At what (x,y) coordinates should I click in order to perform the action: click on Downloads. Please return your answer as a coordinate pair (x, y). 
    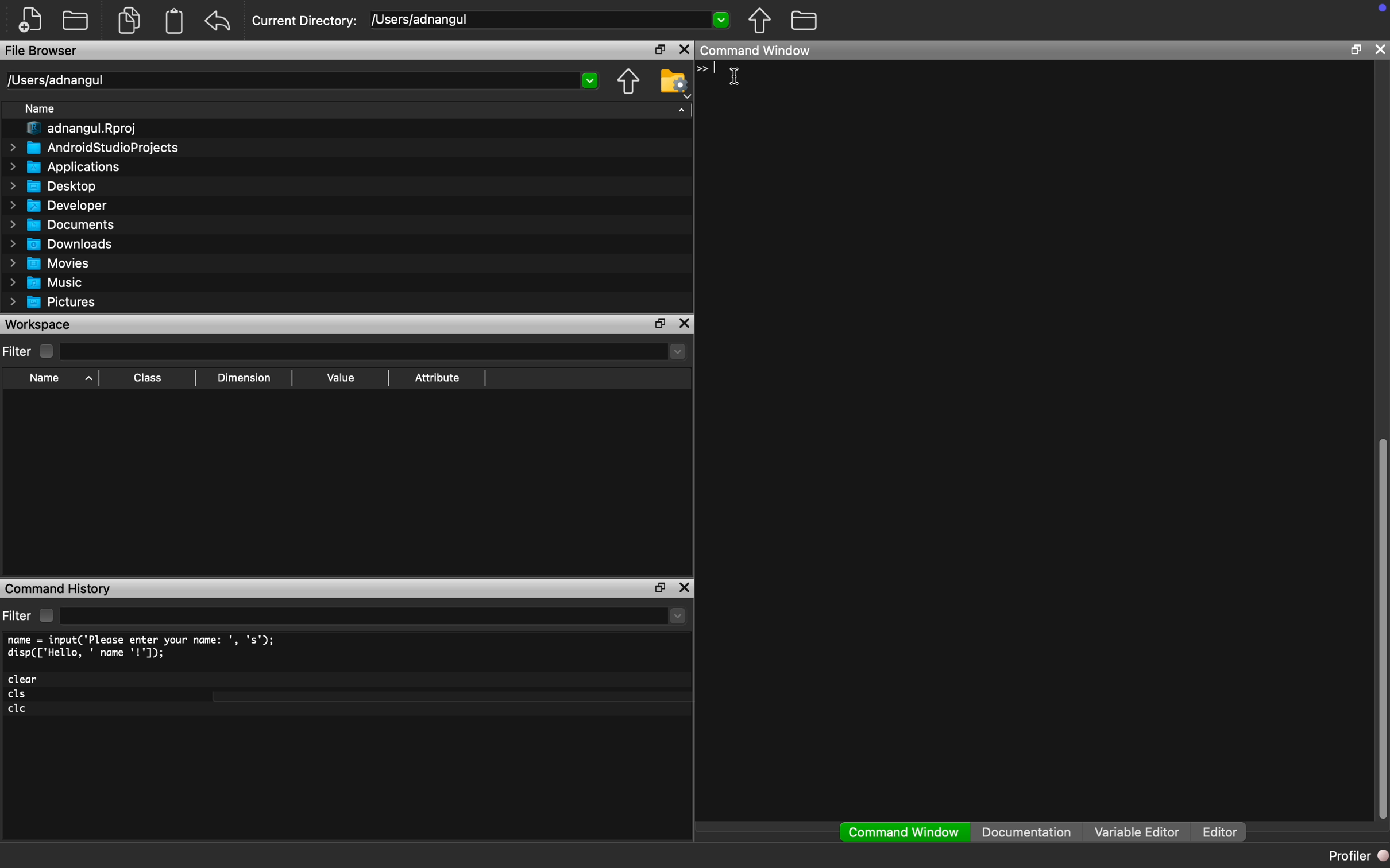
    Looking at the image, I should click on (63, 243).